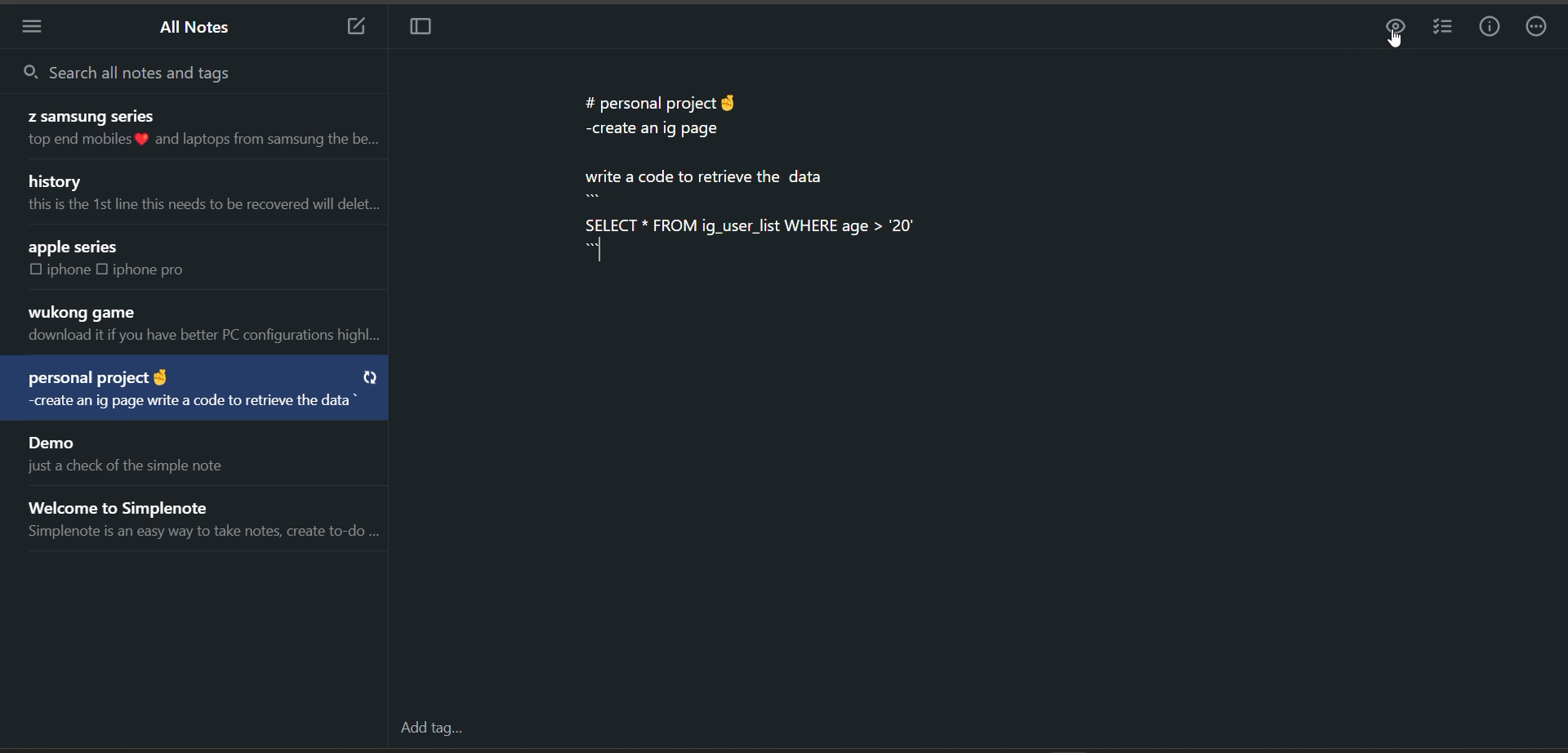  I want to click on note title  and preview, so click(191, 130).